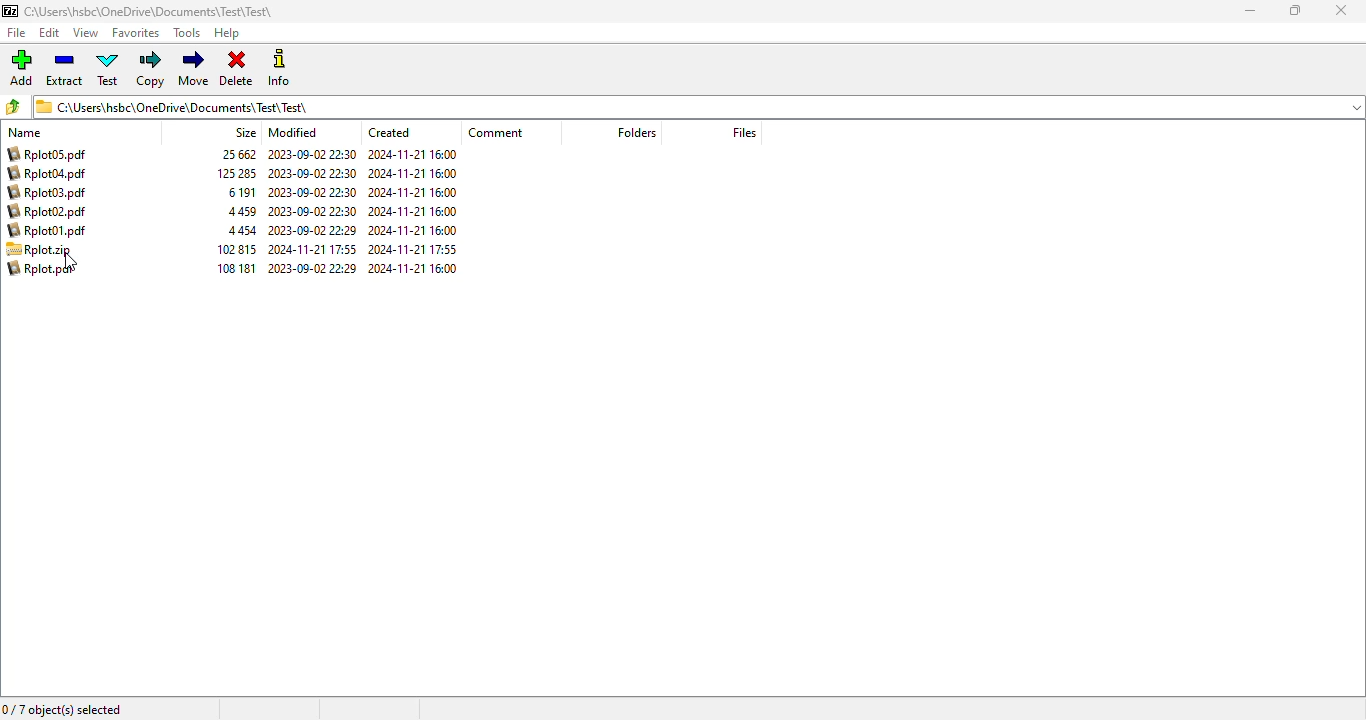  Describe the element at coordinates (412, 154) in the screenshot. I see `2024-11-21 16:00` at that location.